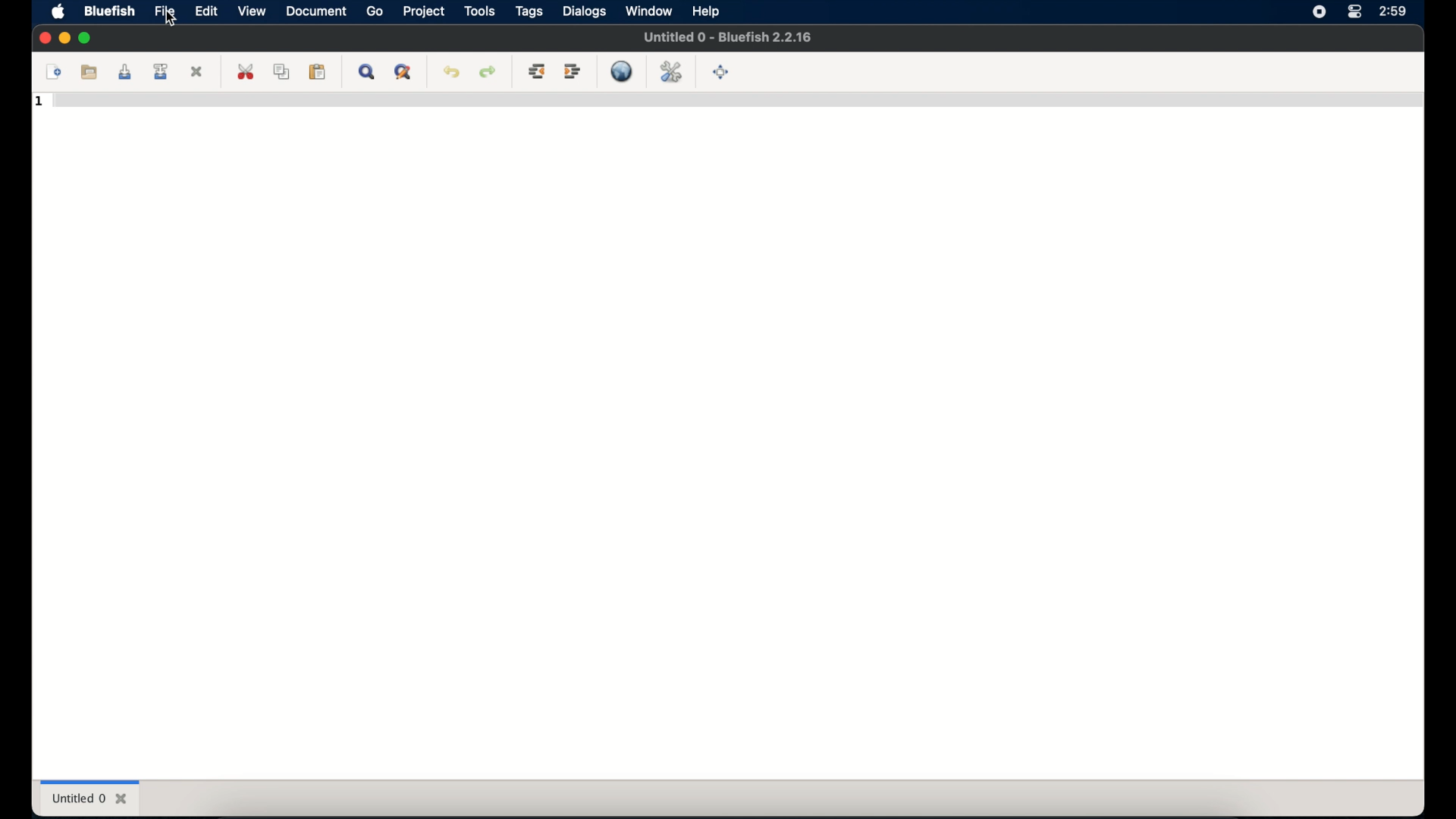 The height and width of the screenshot is (819, 1456). I want to click on window, so click(648, 11).